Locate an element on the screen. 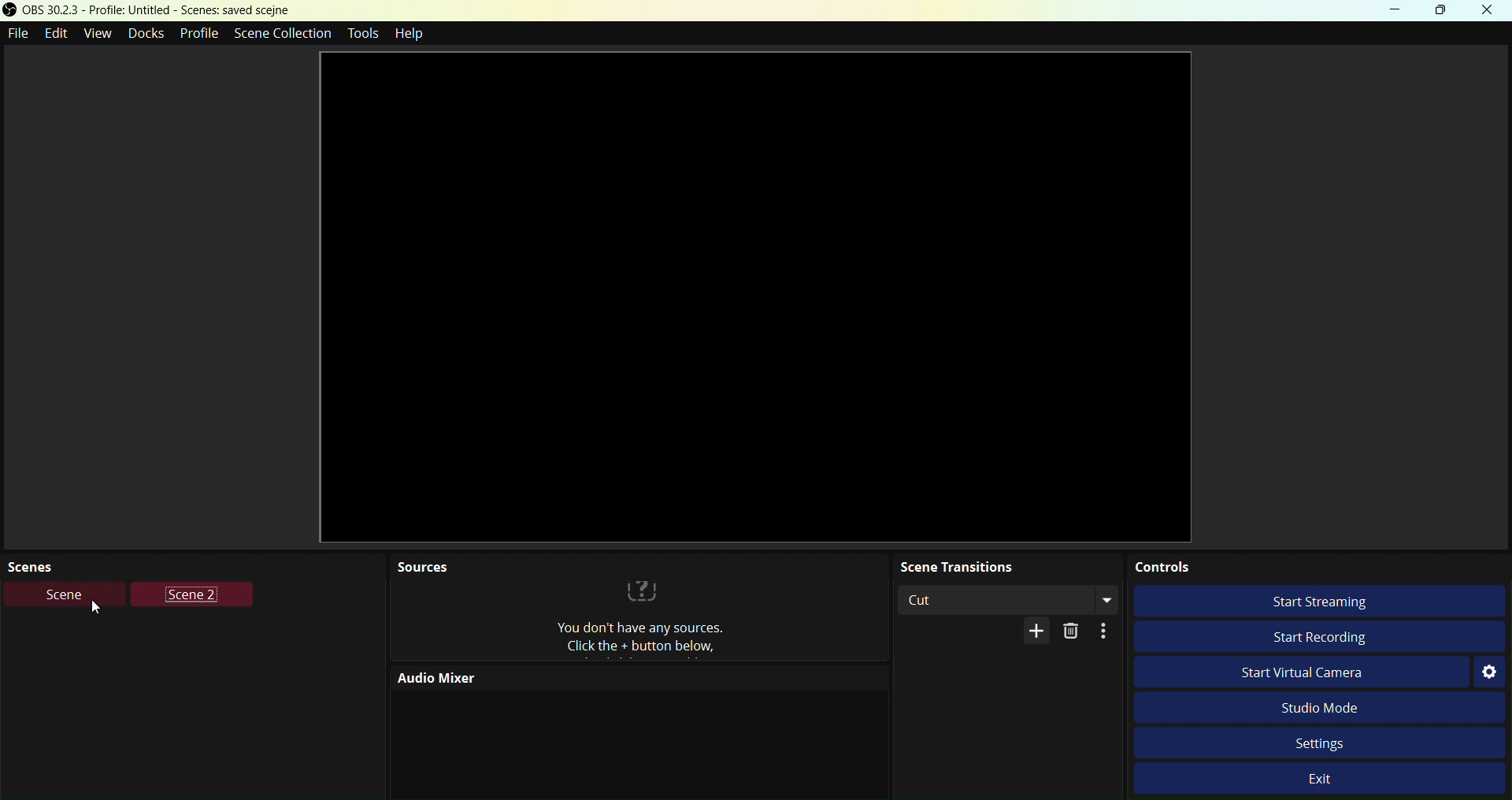  Cursor is located at coordinates (94, 607).